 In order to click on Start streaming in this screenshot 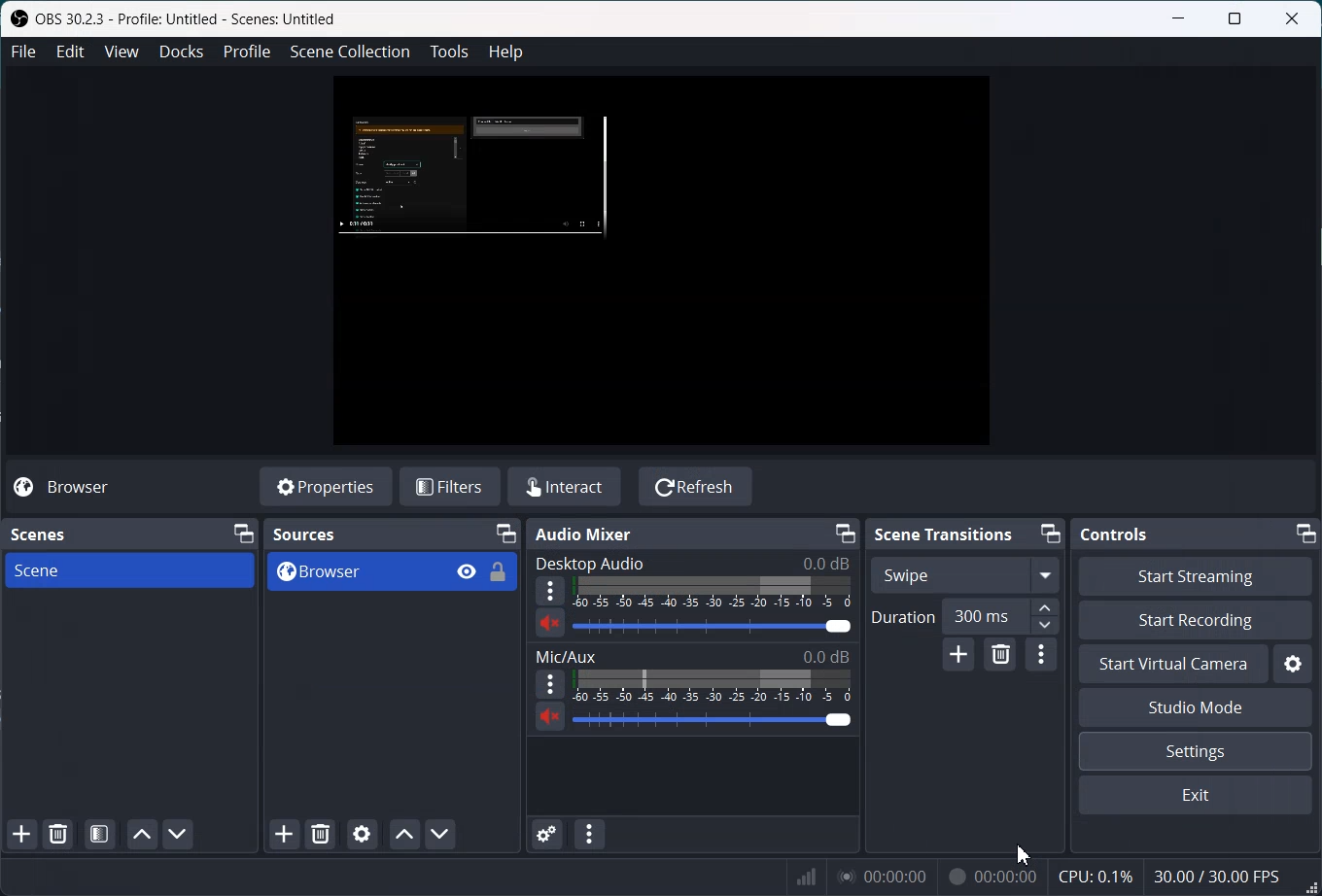, I will do `click(1196, 575)`.